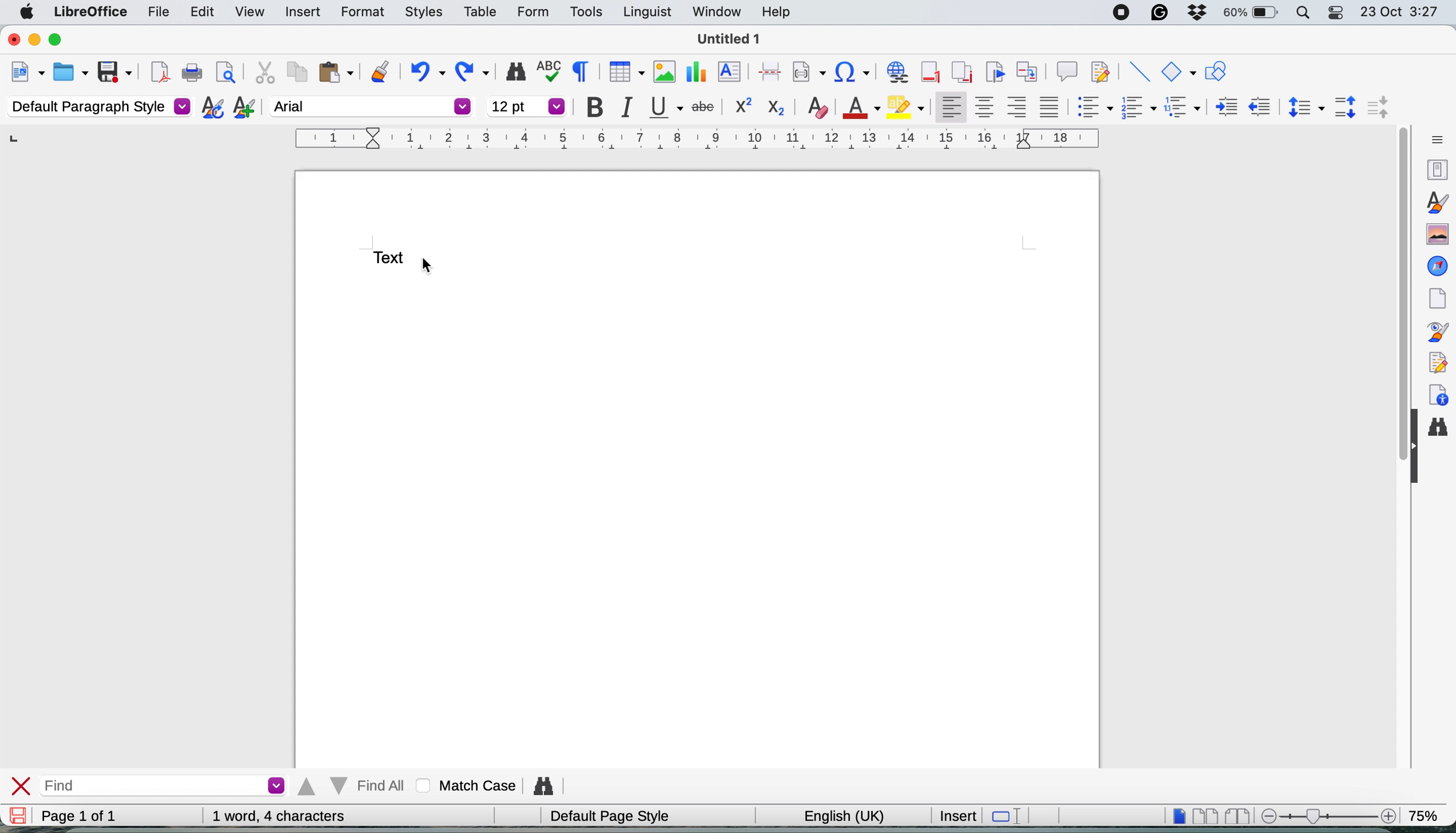  What do you see at coordinates (418, 13) in the screenshot?
I see `styles` at bounding box center [418, 13].